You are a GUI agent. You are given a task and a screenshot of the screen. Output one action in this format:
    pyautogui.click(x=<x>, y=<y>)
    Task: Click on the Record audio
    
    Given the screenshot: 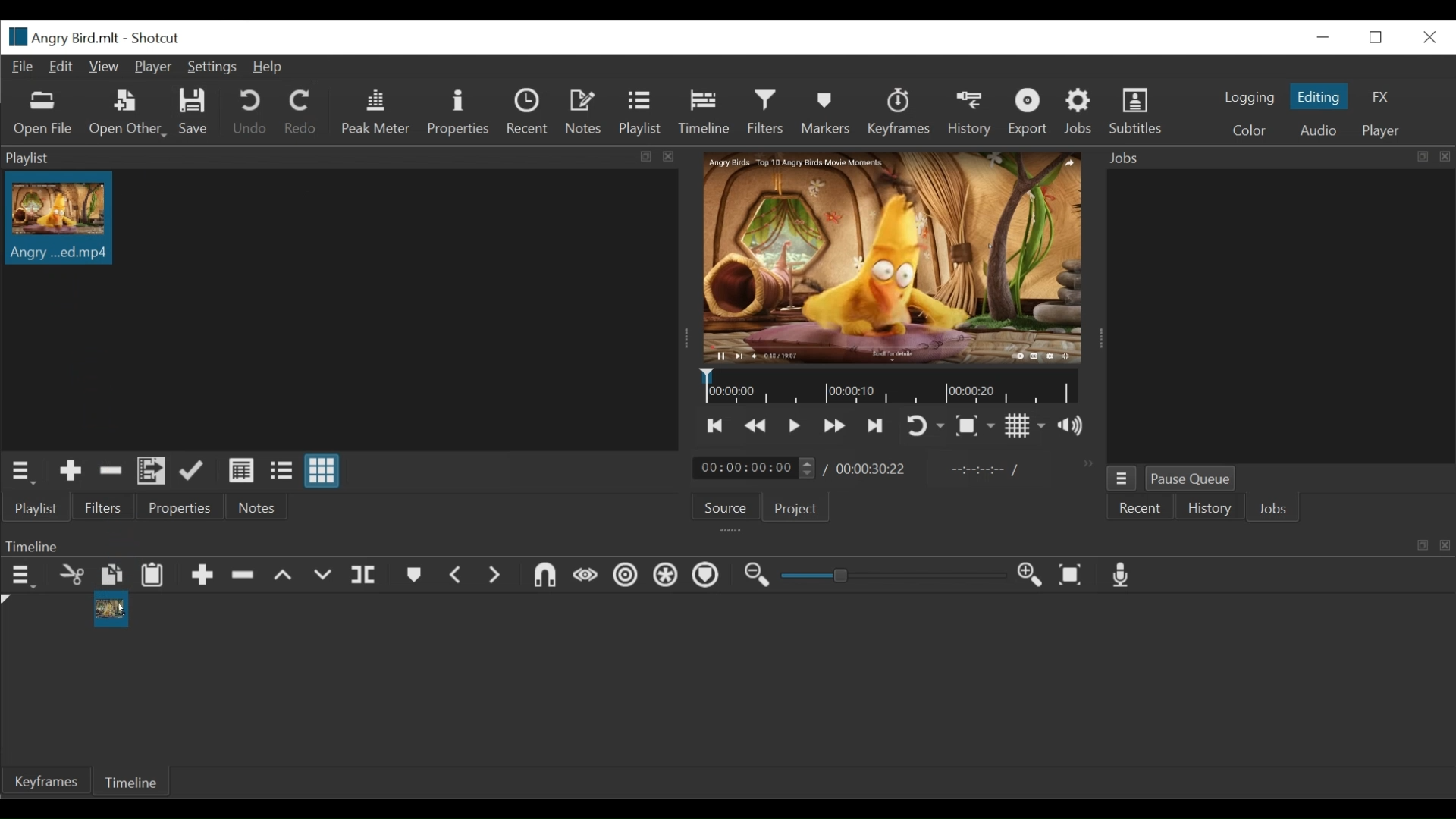 What is the action you would take?
    pyautogui.click(x=1125, y=576)
    